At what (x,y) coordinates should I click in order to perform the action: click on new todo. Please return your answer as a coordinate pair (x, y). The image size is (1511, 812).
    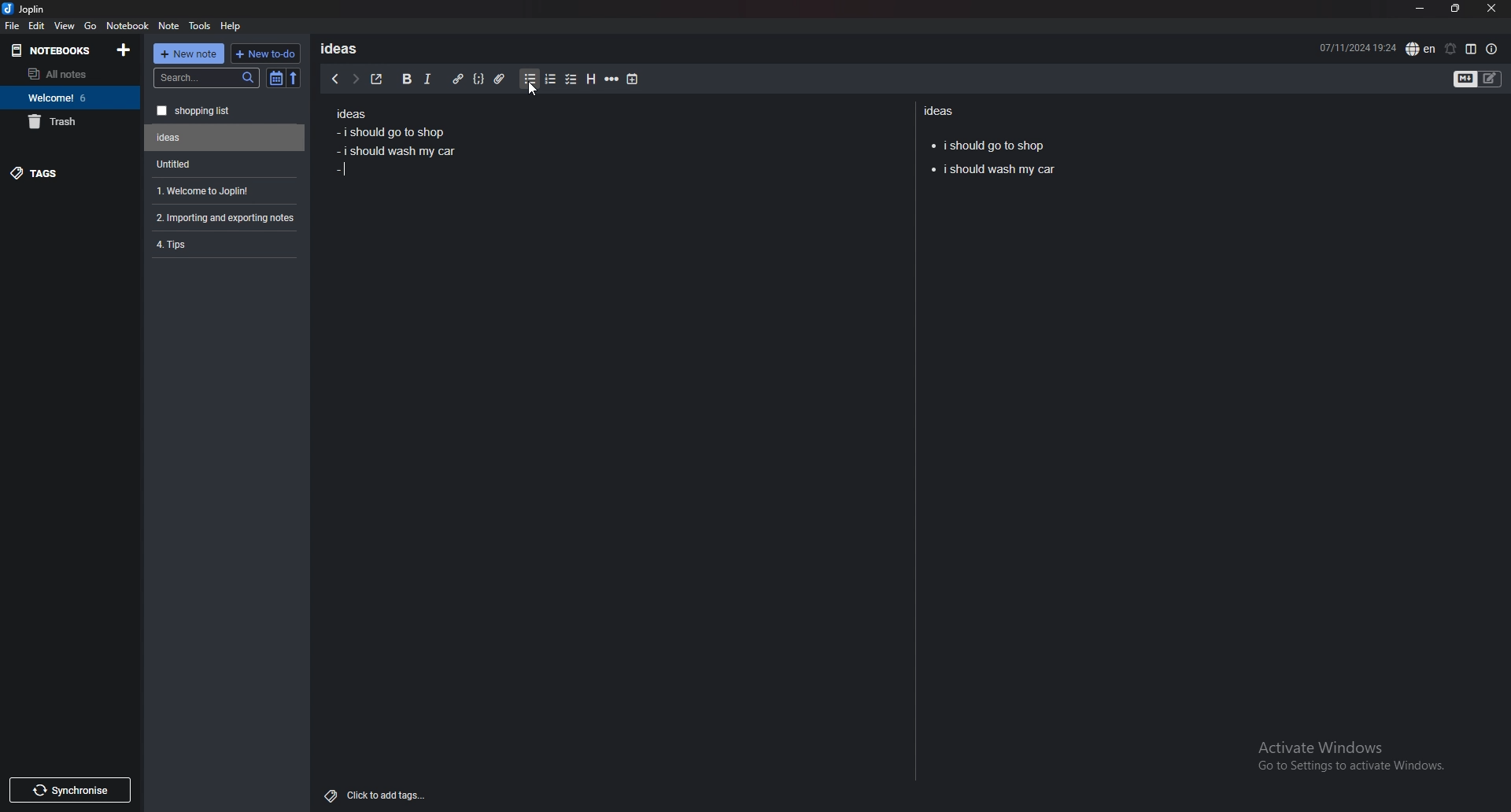
    Looking at the image, I should click on (264, 54).